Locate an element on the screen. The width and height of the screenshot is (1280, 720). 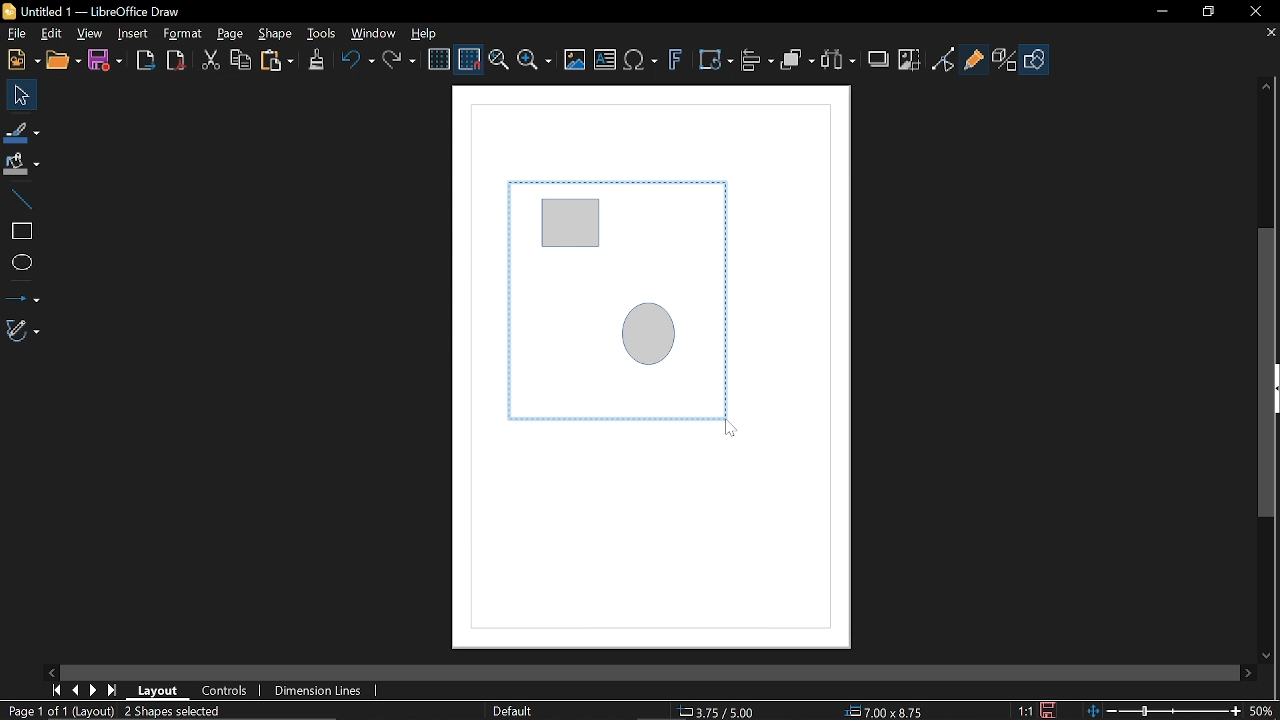
File is located at coordinates (18, 33).